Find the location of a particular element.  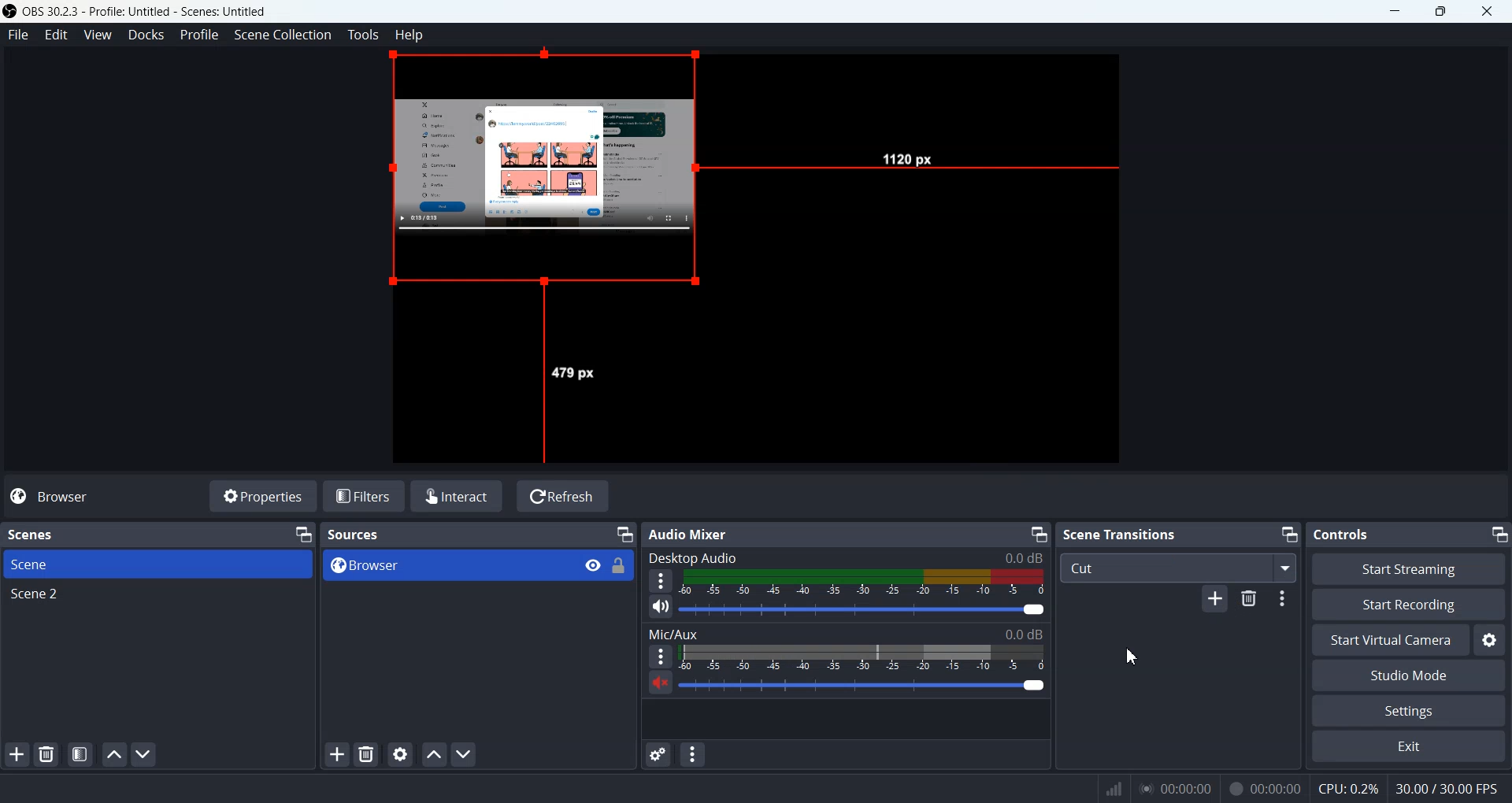

Scene is located at coordinates (157, 564).